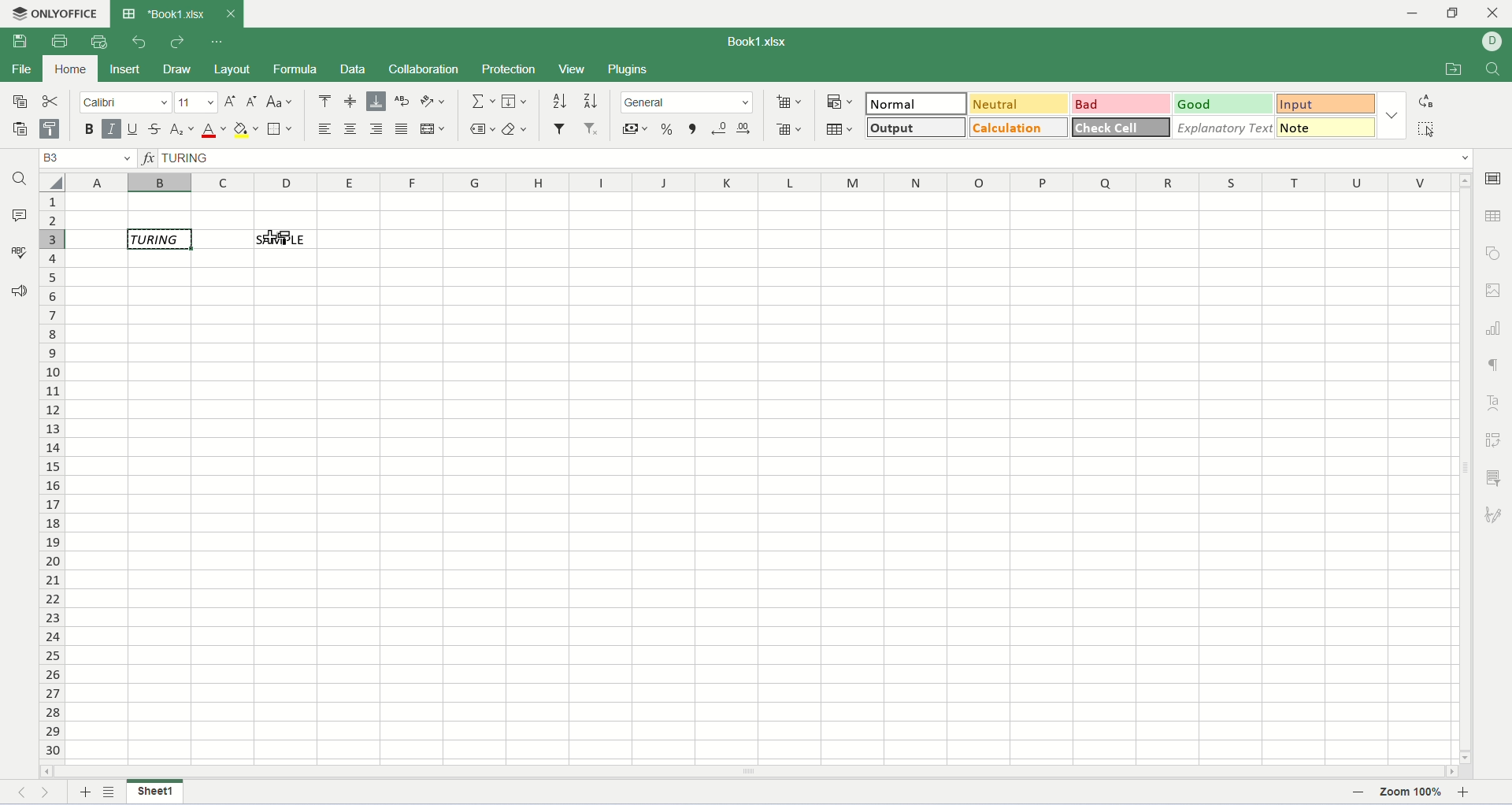 The width and height of the screenshot is (1512, 805). Describe the element at coordinates (1495, 328) in the screenshot. I see `chart settings` at that location.